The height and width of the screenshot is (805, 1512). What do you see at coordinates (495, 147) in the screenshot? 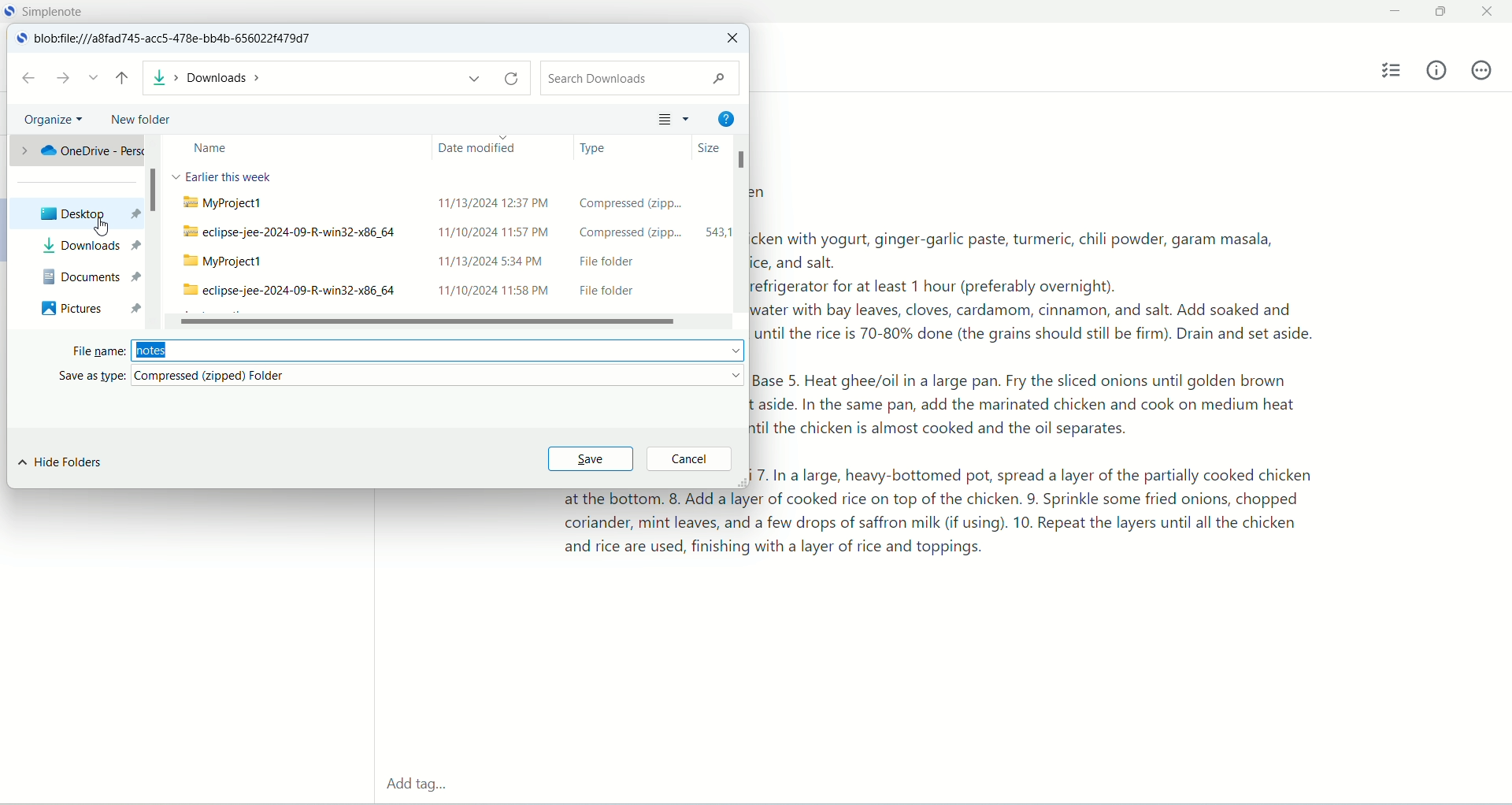
I see `date modified` at bounding box center [495, 147].